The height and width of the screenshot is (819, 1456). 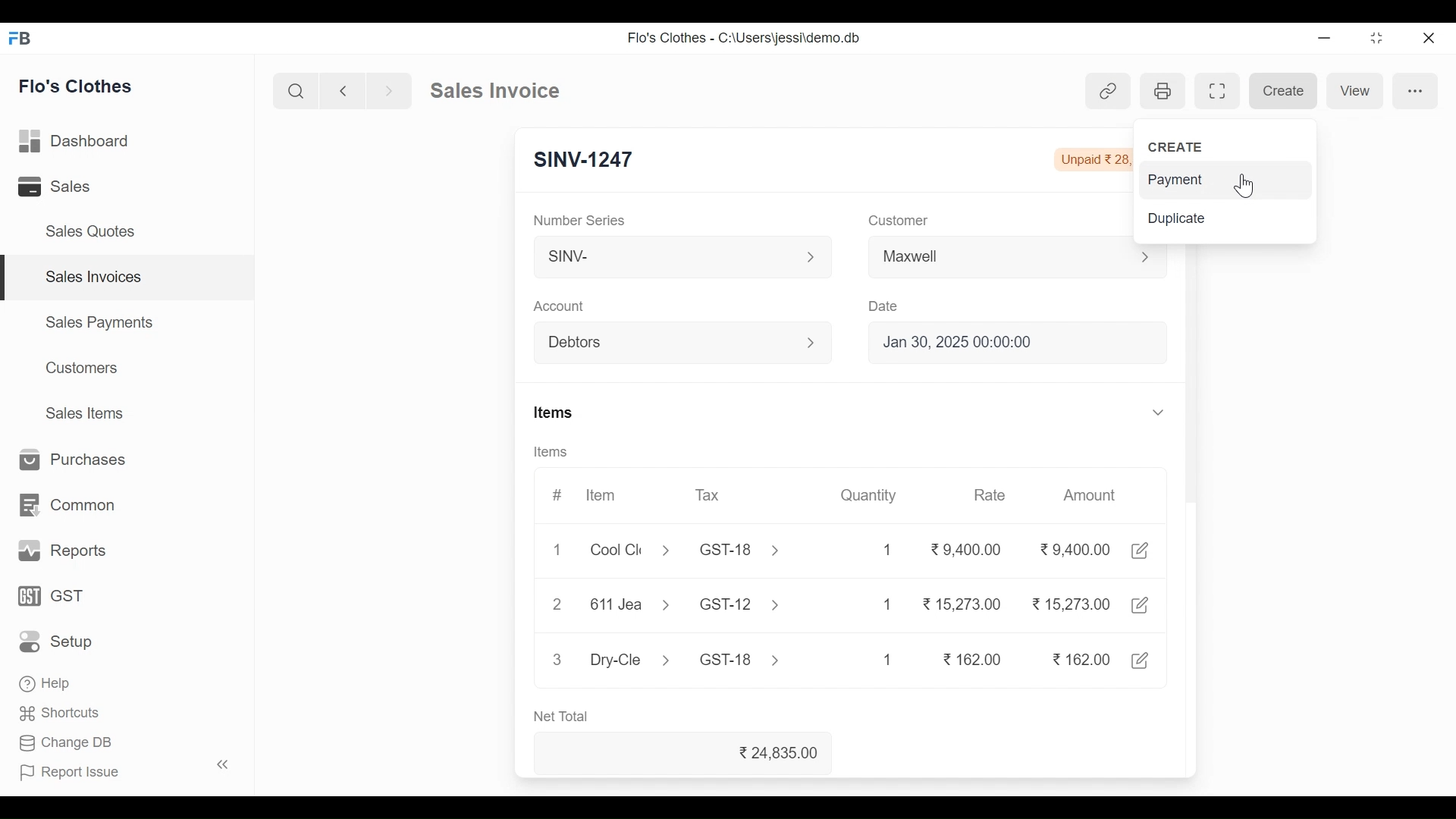 What do you see at coordinates (343, 91) in the screenshot?
I see `Go Back` at bounding box center [343, 91].